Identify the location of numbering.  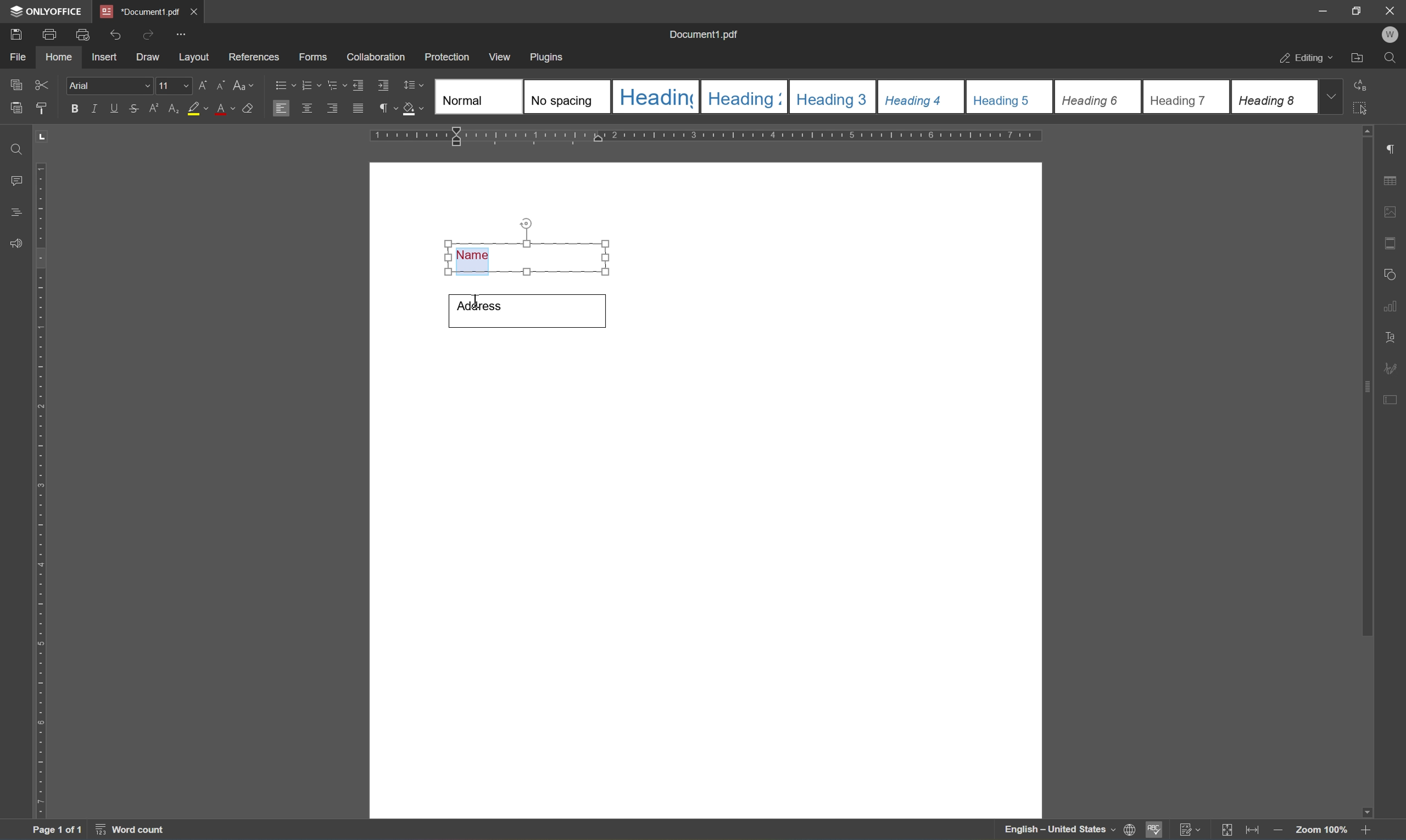
(311, 85).